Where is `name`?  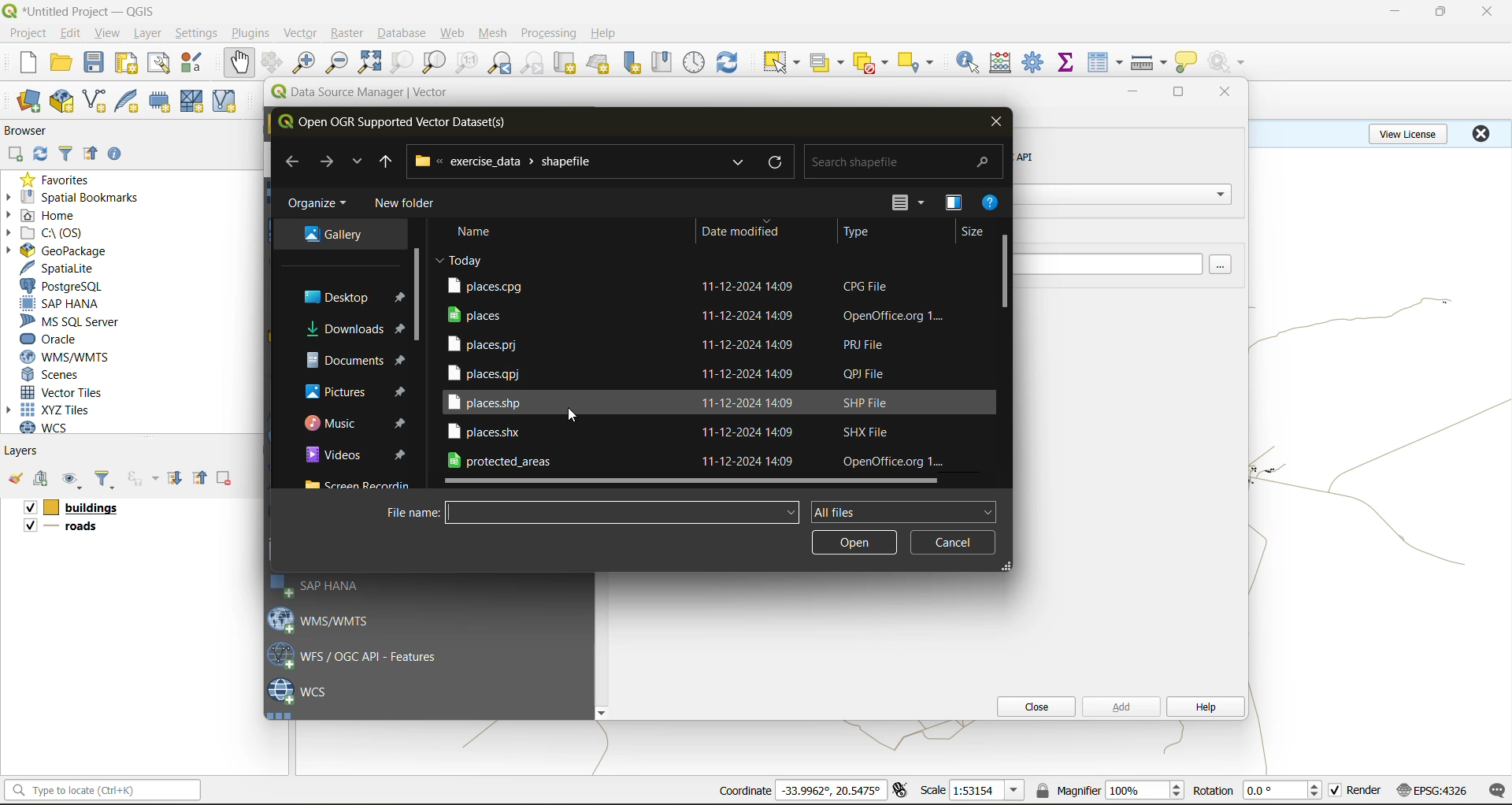
name is located at coordinates (481, 232).